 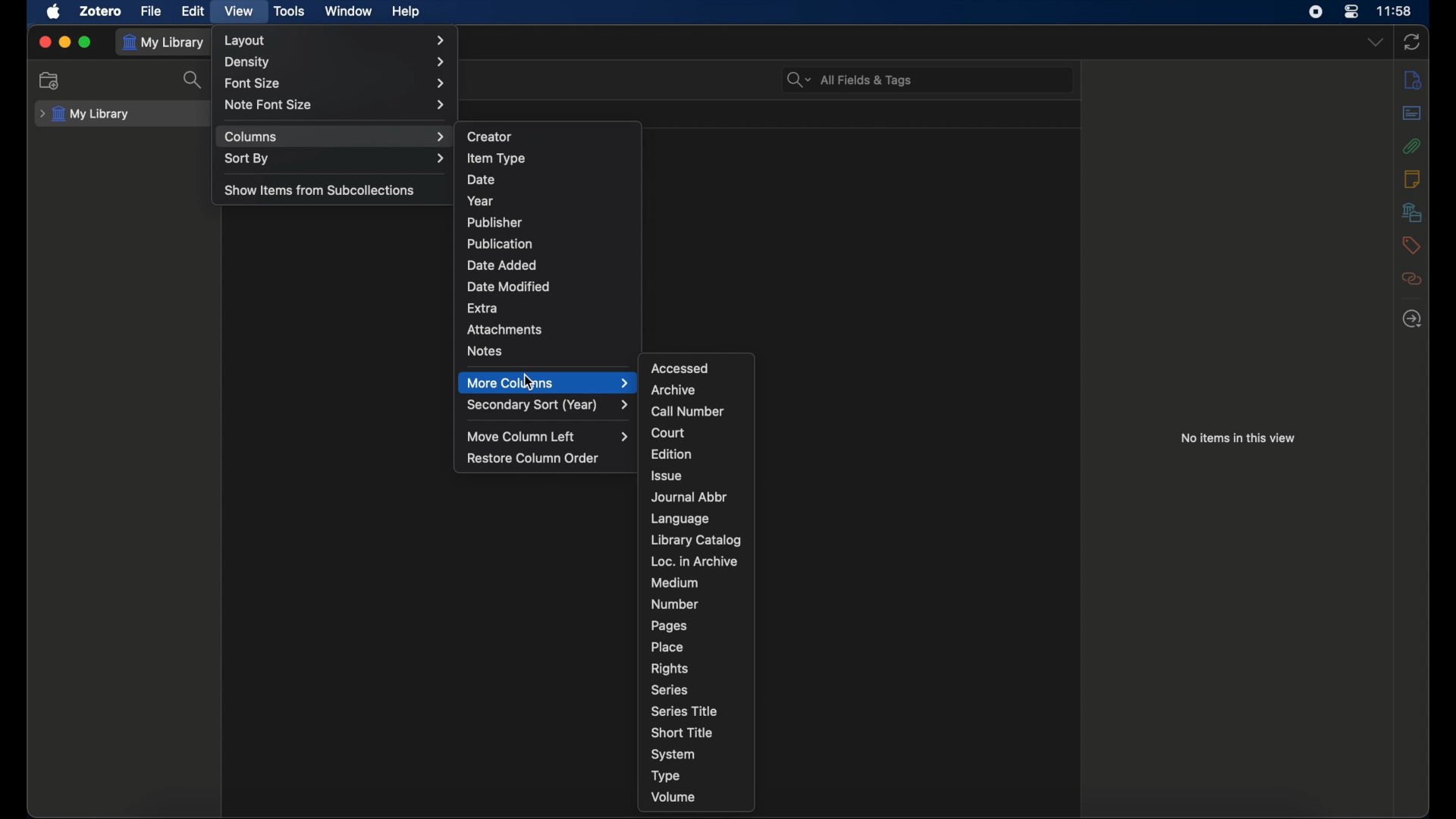 What do you see at coordinates (164, 42) in the screenshot?
I see `my library` at bounding box center [164, 42].